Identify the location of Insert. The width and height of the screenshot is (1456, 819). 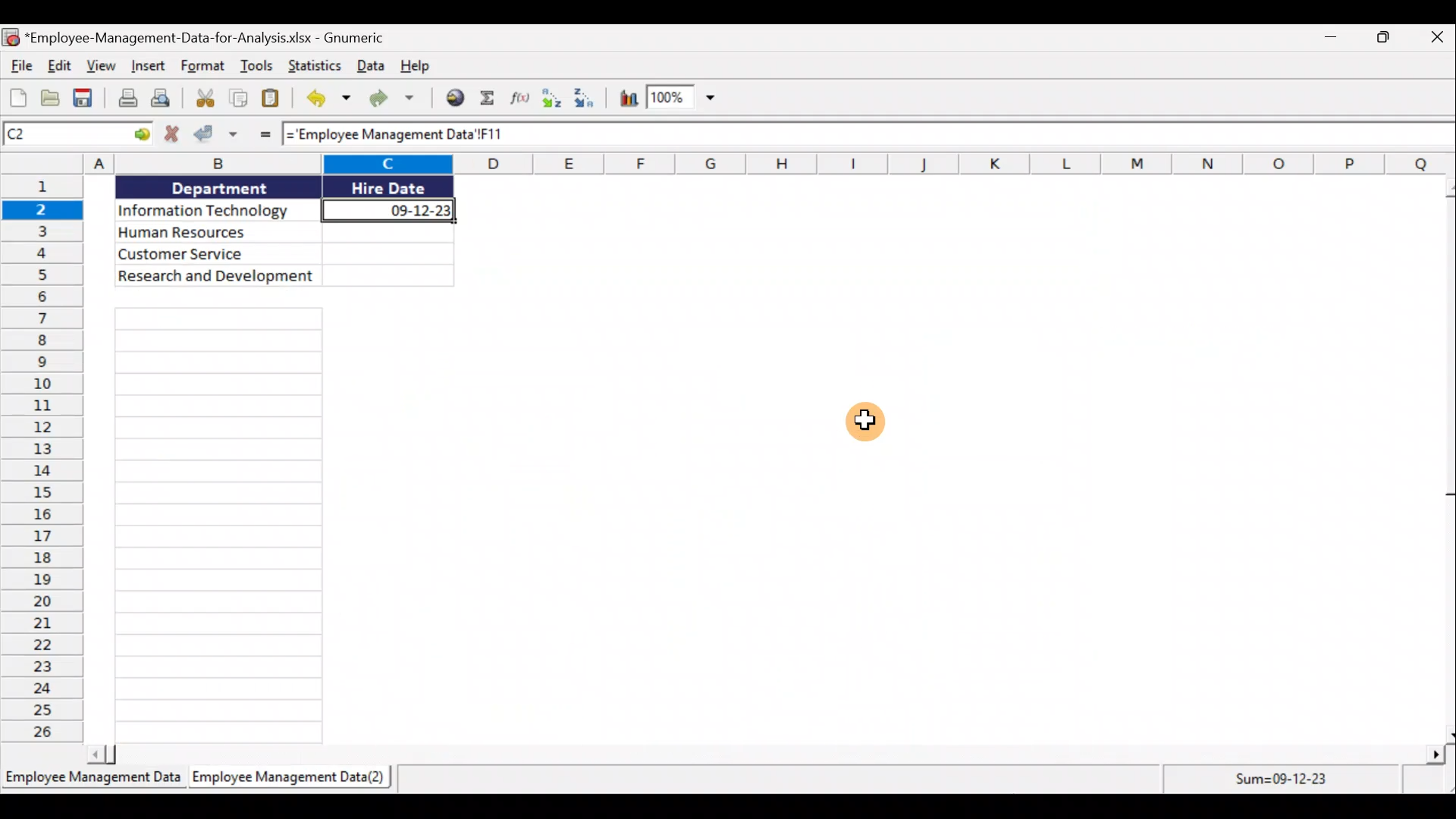
(149, 68).